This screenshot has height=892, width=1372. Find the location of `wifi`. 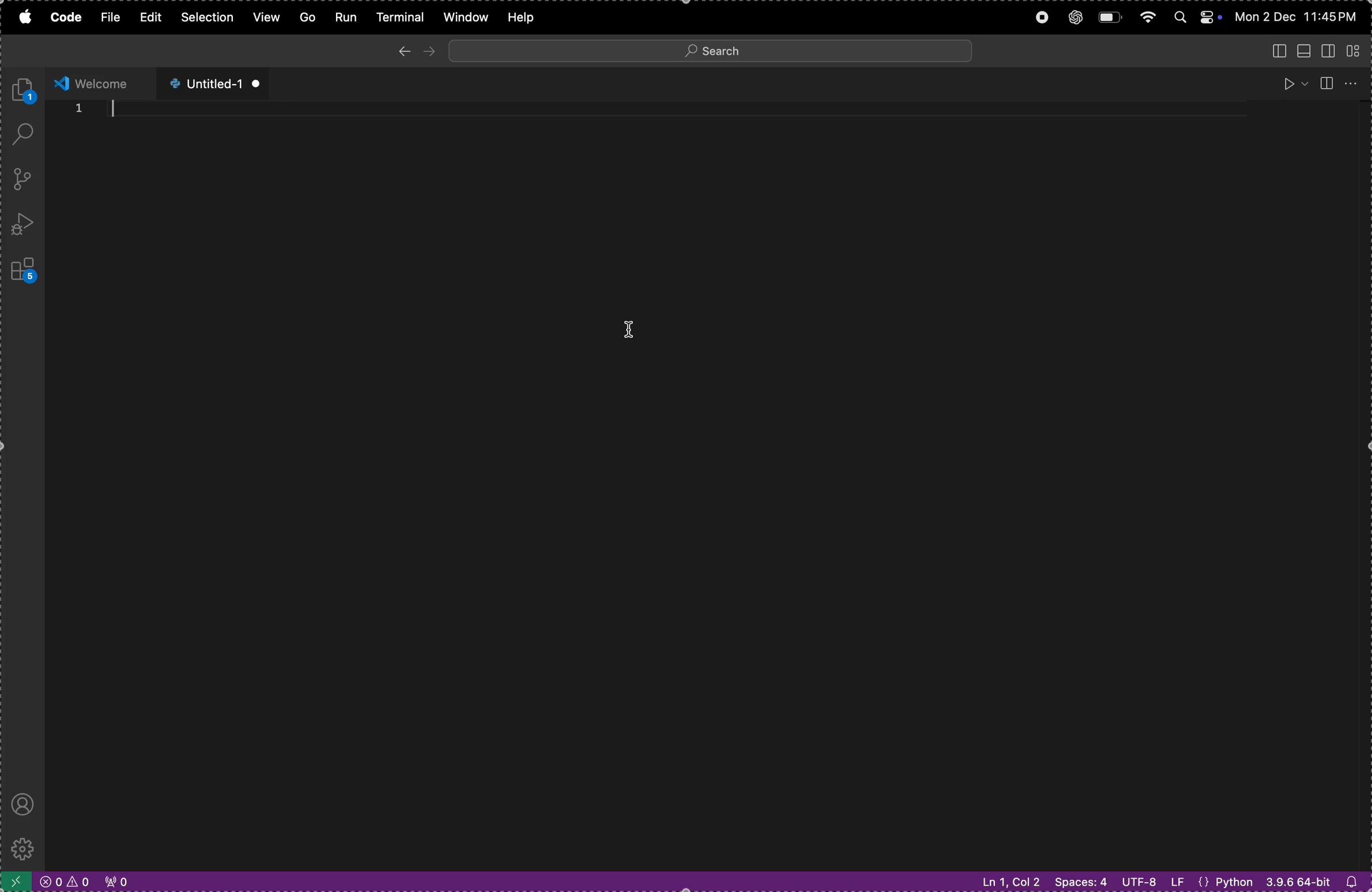

wifi is located at coordinates (1146, 18).